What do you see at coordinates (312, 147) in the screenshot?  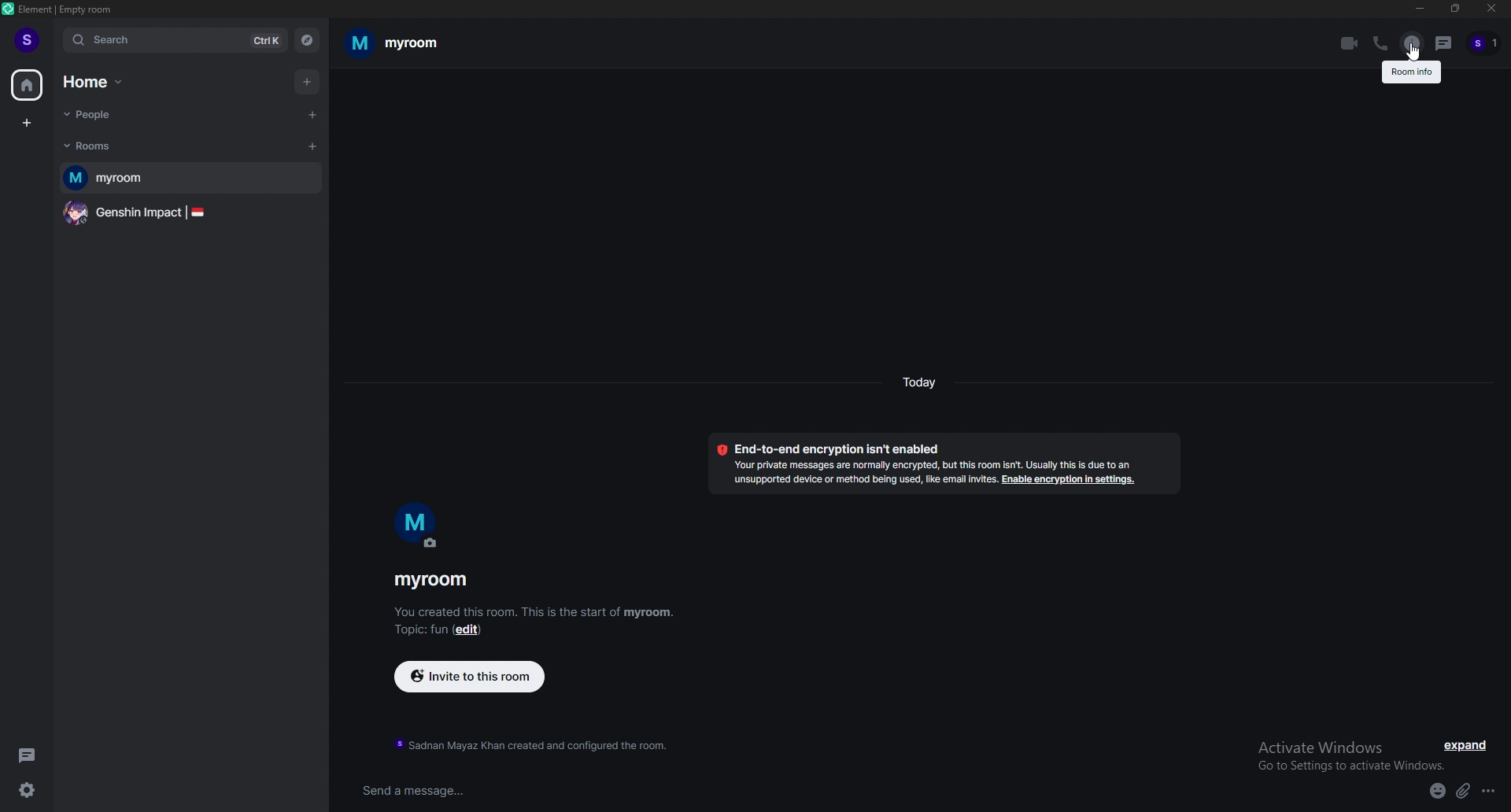 I see `add room` at bounding box center [312, 147].